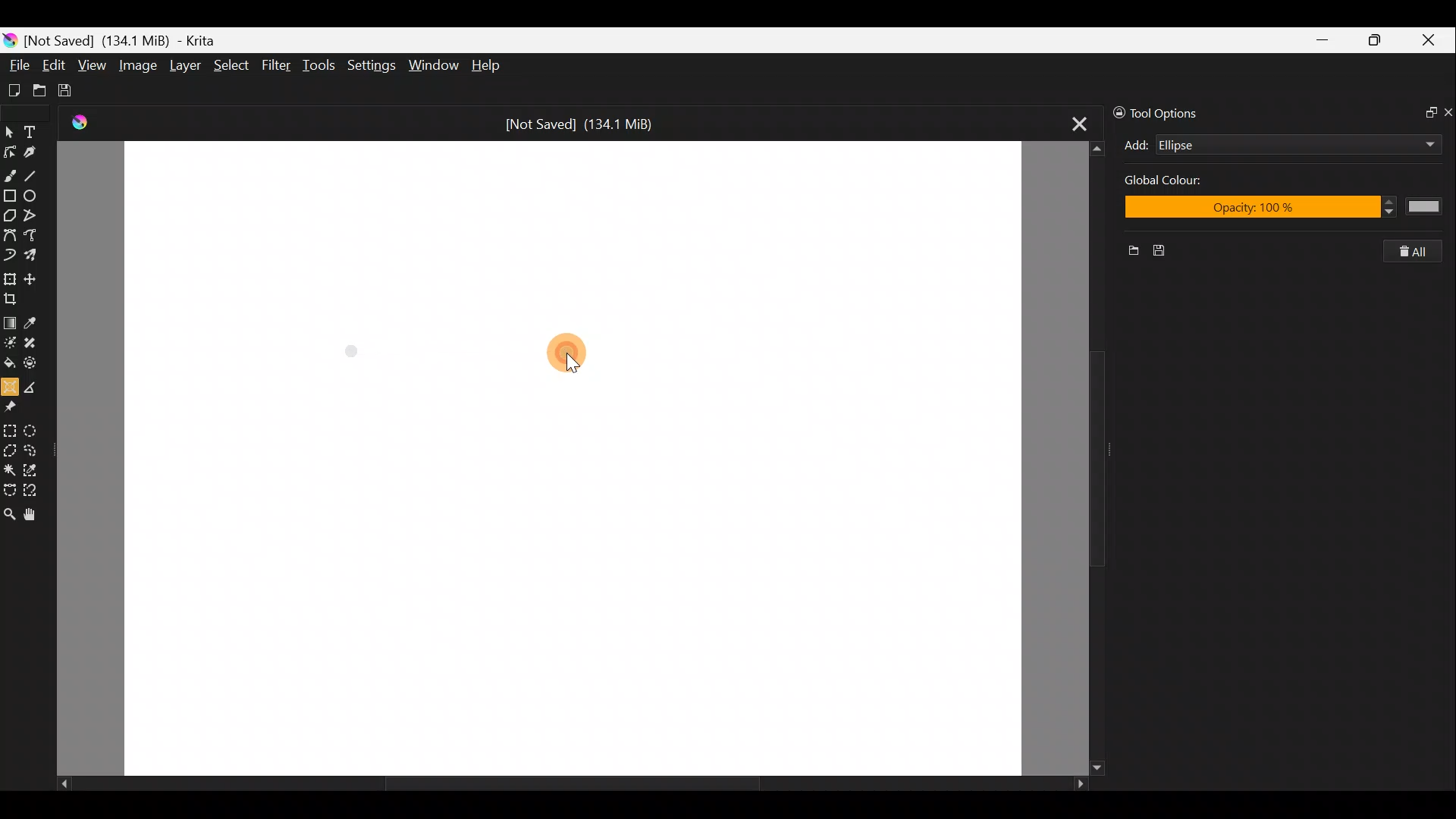  Describe the element at coordinates (31, 236) in the screenshot. I see `Freehand path tool` at that location.